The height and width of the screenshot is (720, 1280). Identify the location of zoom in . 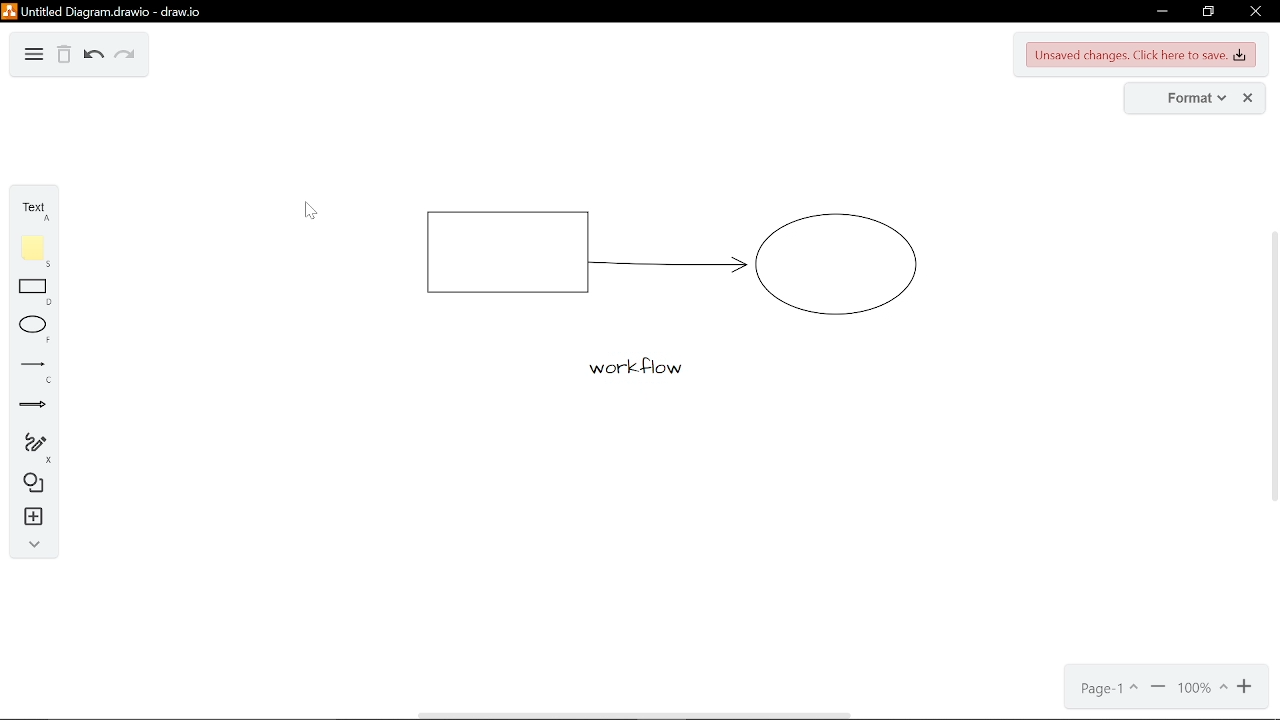
(1158, 689).